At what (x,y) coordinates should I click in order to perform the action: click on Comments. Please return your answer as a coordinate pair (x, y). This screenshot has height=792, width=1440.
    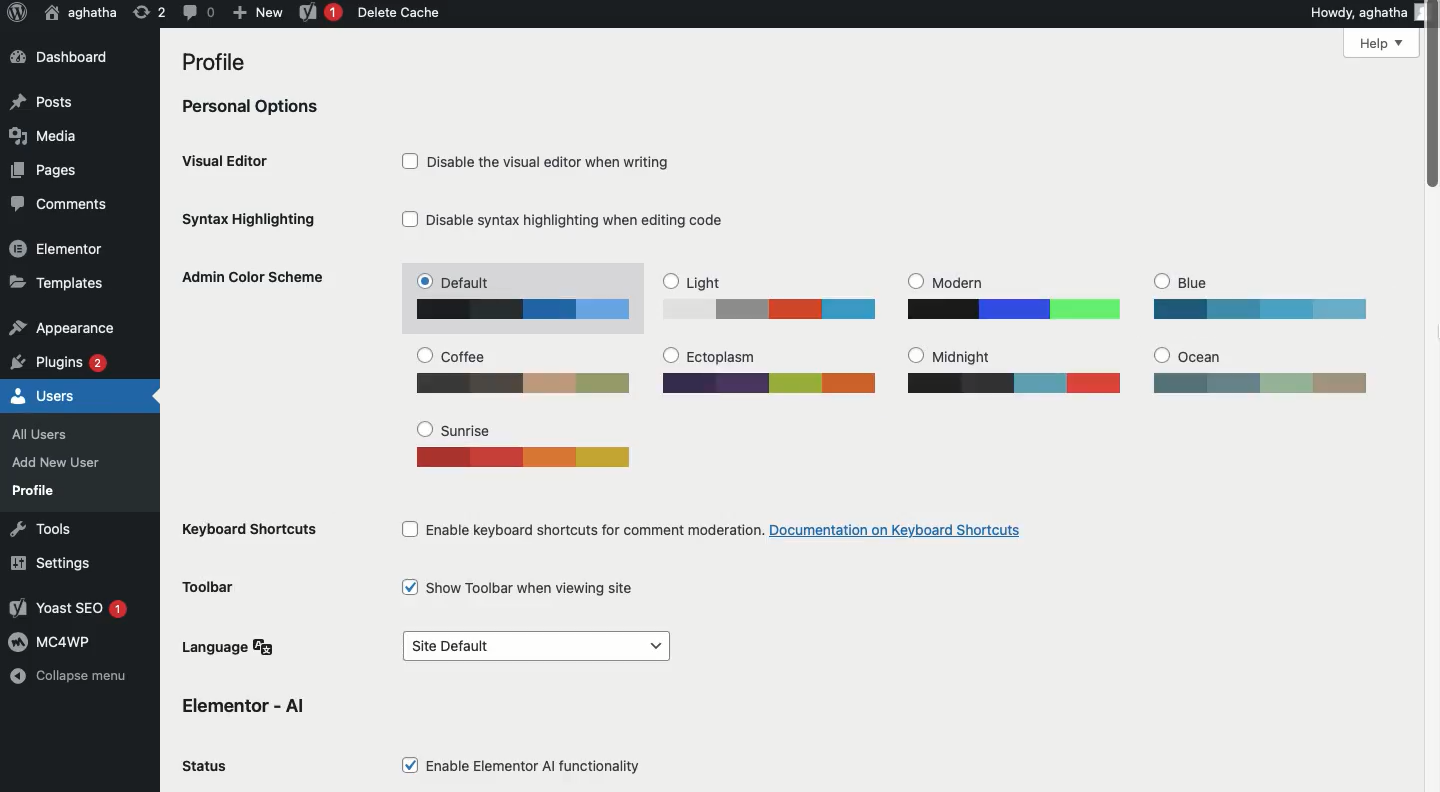
    Looking at the image, I should click on (60, 205).